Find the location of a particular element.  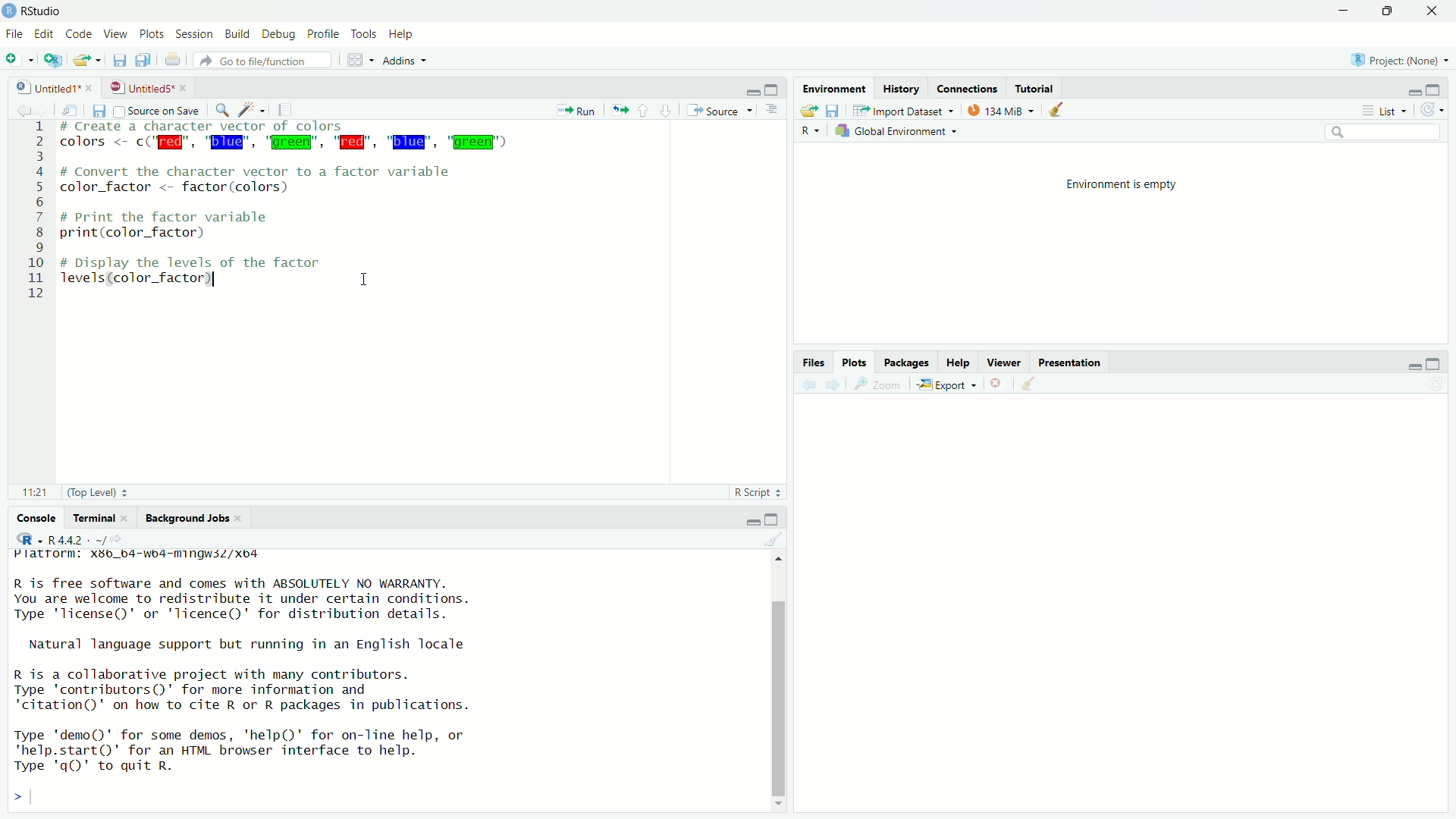

Type 'demo()' for some demos, 'help()' for on-Tine help, or
*help.start()' for an HTML browser interface to help.
Type 'qQ' to quit R. is located at coordinates (275, 748).